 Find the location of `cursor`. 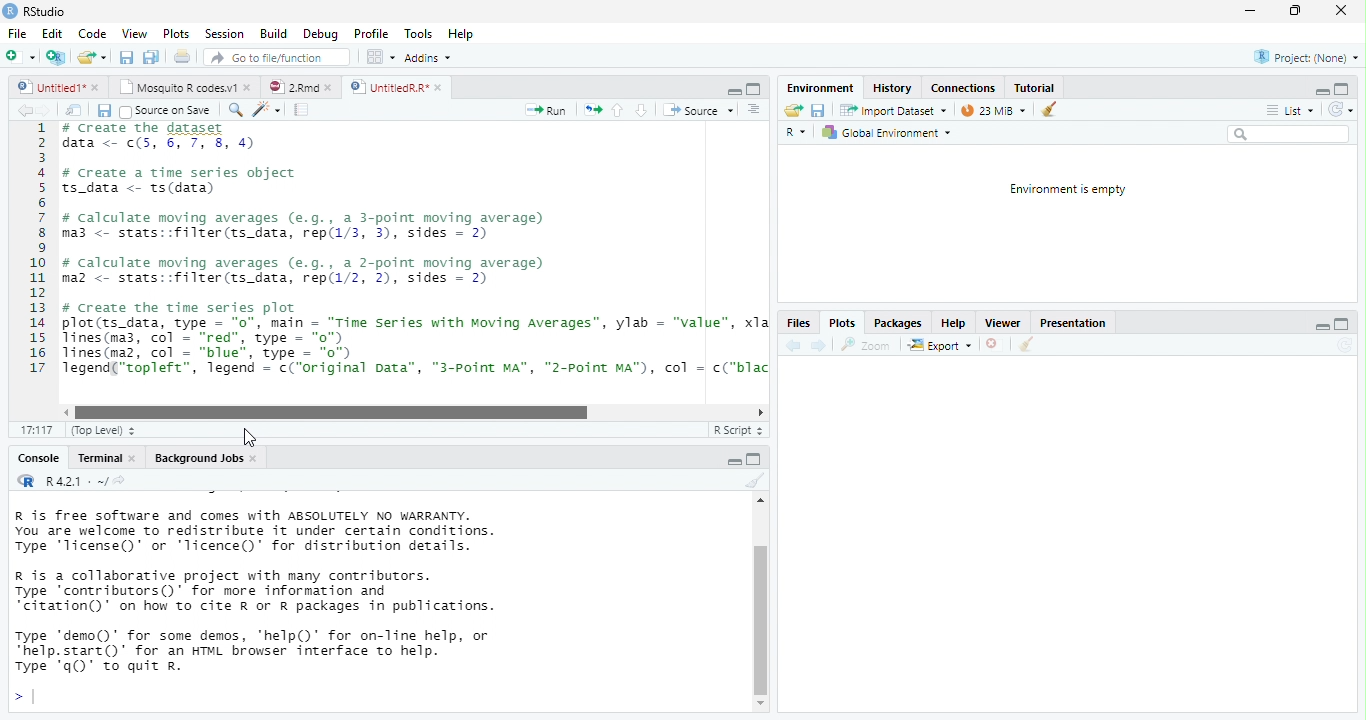

cursor is located at coordinates (245, 438).